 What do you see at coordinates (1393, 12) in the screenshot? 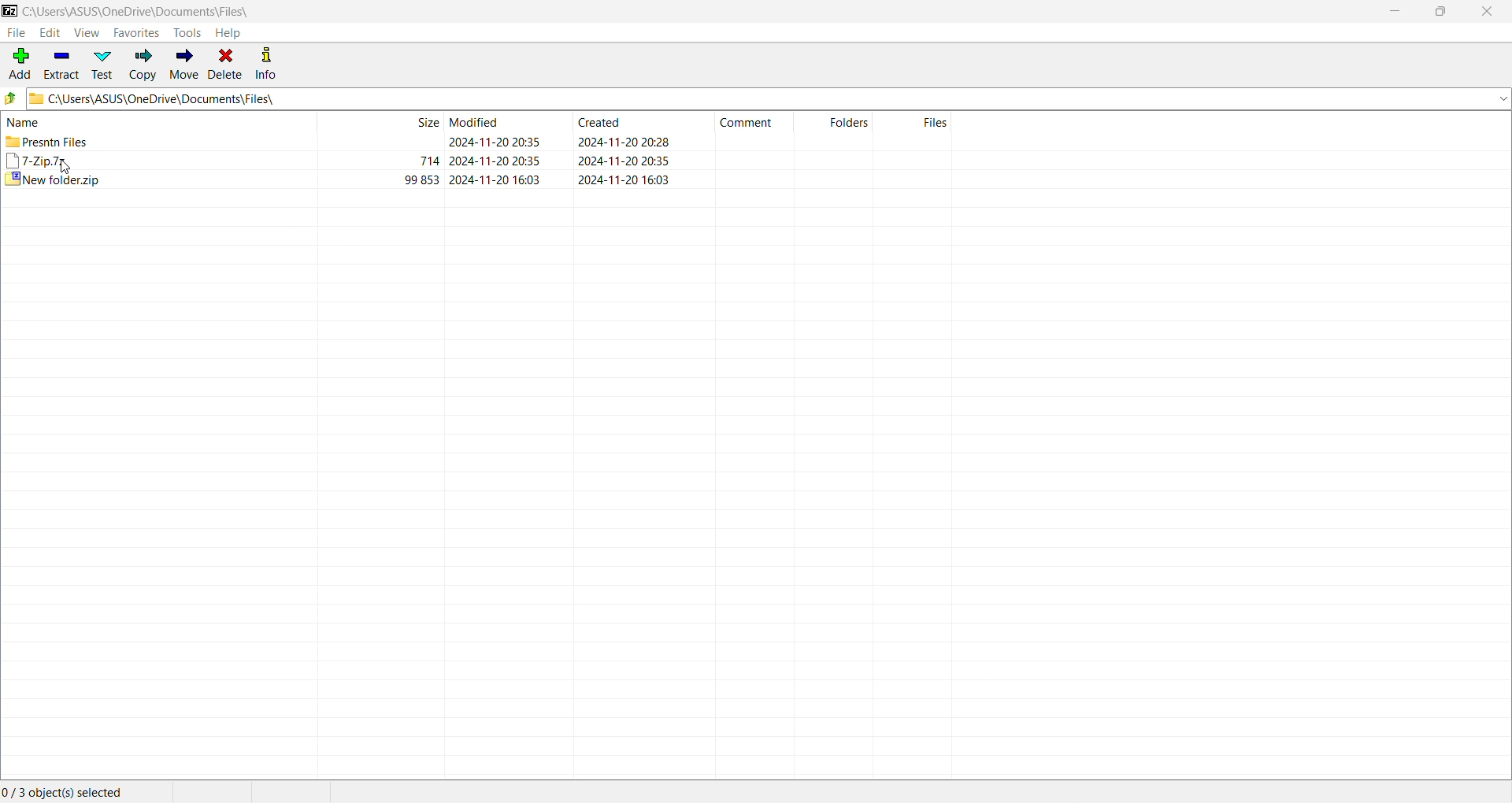
I see `Minimize` at bounding box center [1393, 12].